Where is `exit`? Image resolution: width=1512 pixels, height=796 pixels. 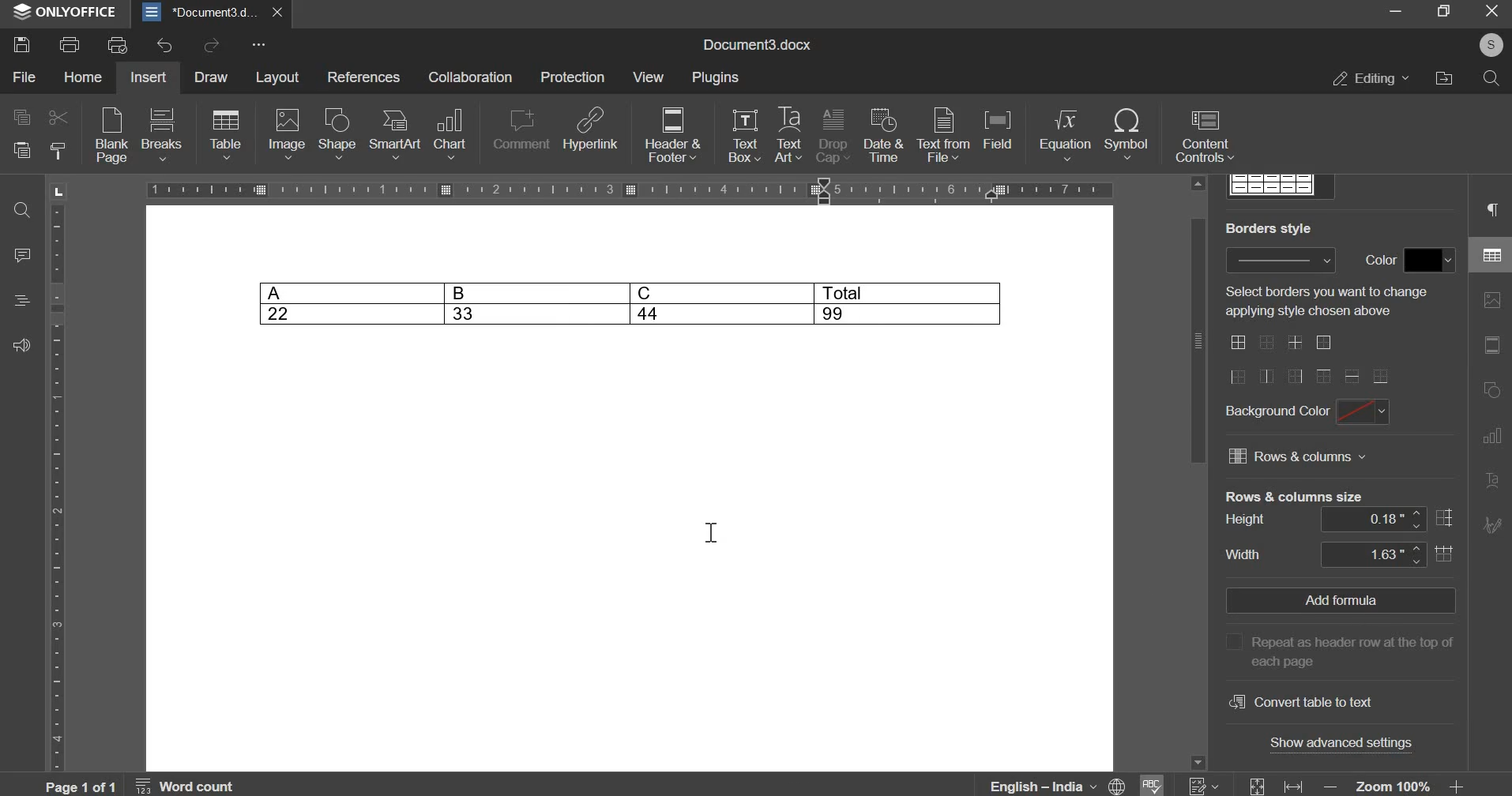
exit is located at coordinates (1492, 13).